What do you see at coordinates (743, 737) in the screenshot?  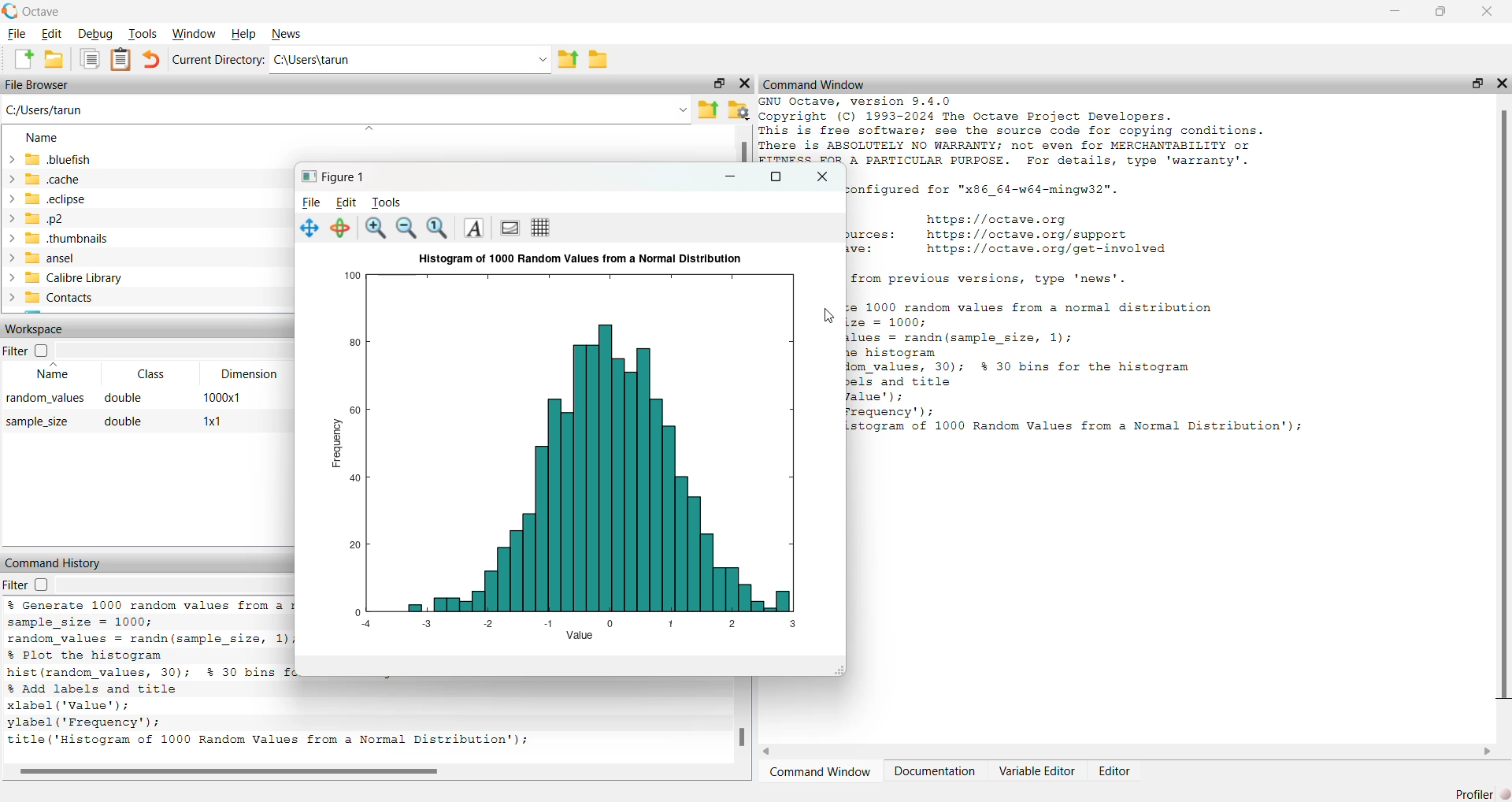 I see `scroll bar` at bounding box center [743, 737].